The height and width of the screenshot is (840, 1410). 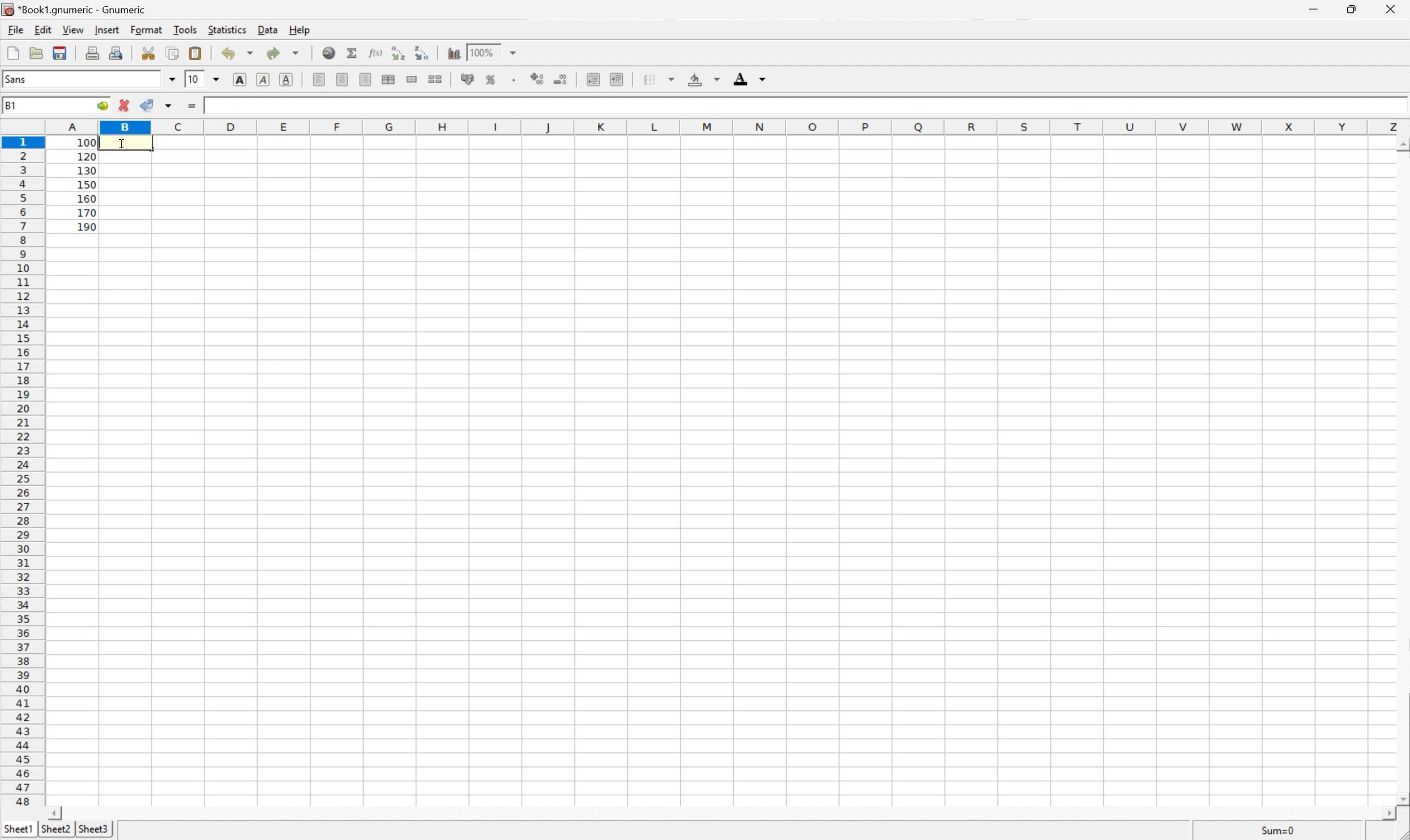 I want to click on Cut selection, so click(x=148, y=53).